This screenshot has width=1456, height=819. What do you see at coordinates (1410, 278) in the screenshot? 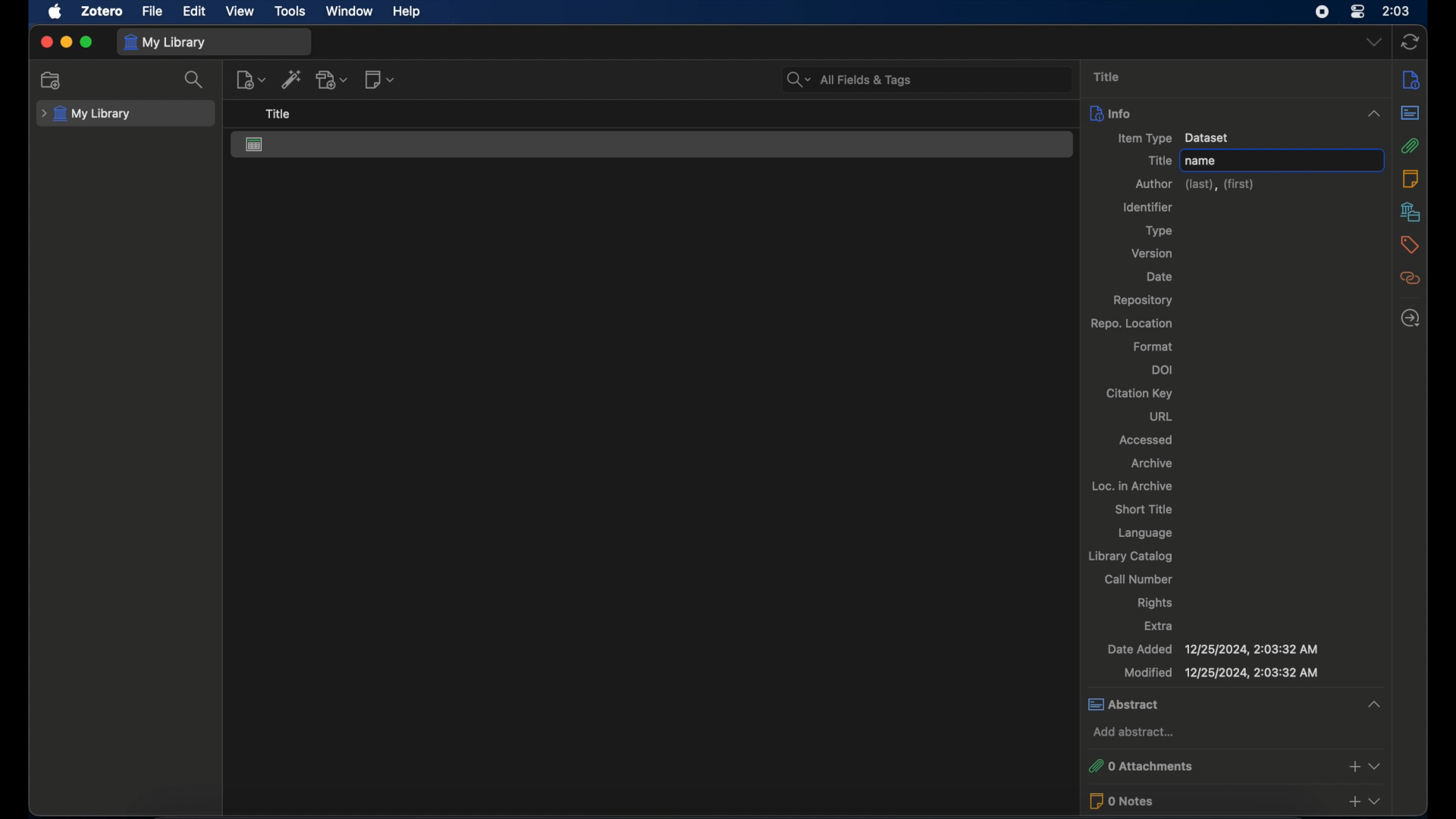
I see `related` at bounding box center [1410, 278].